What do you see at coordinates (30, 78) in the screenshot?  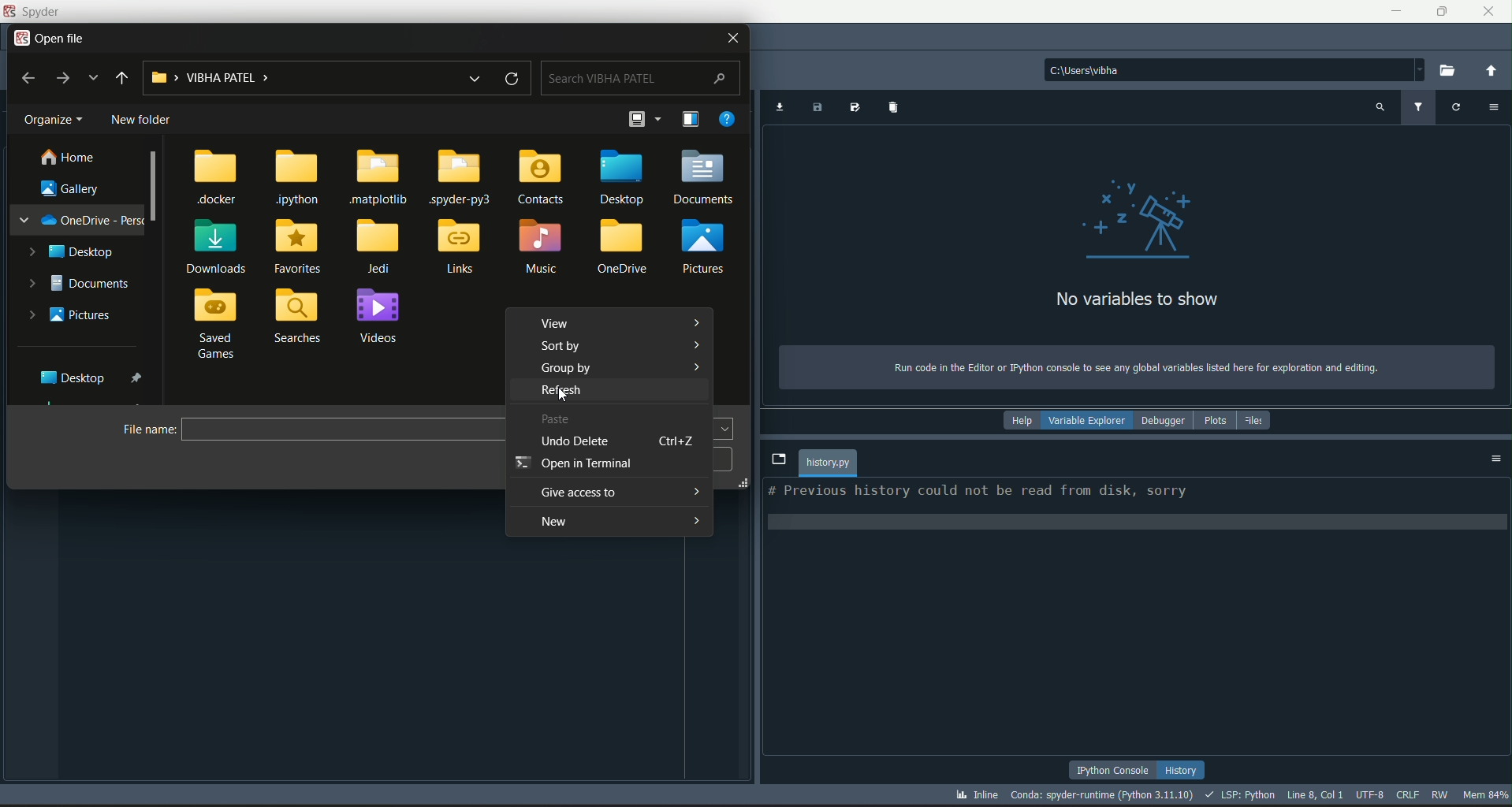 I see `back` at bounding box center [30, 78].